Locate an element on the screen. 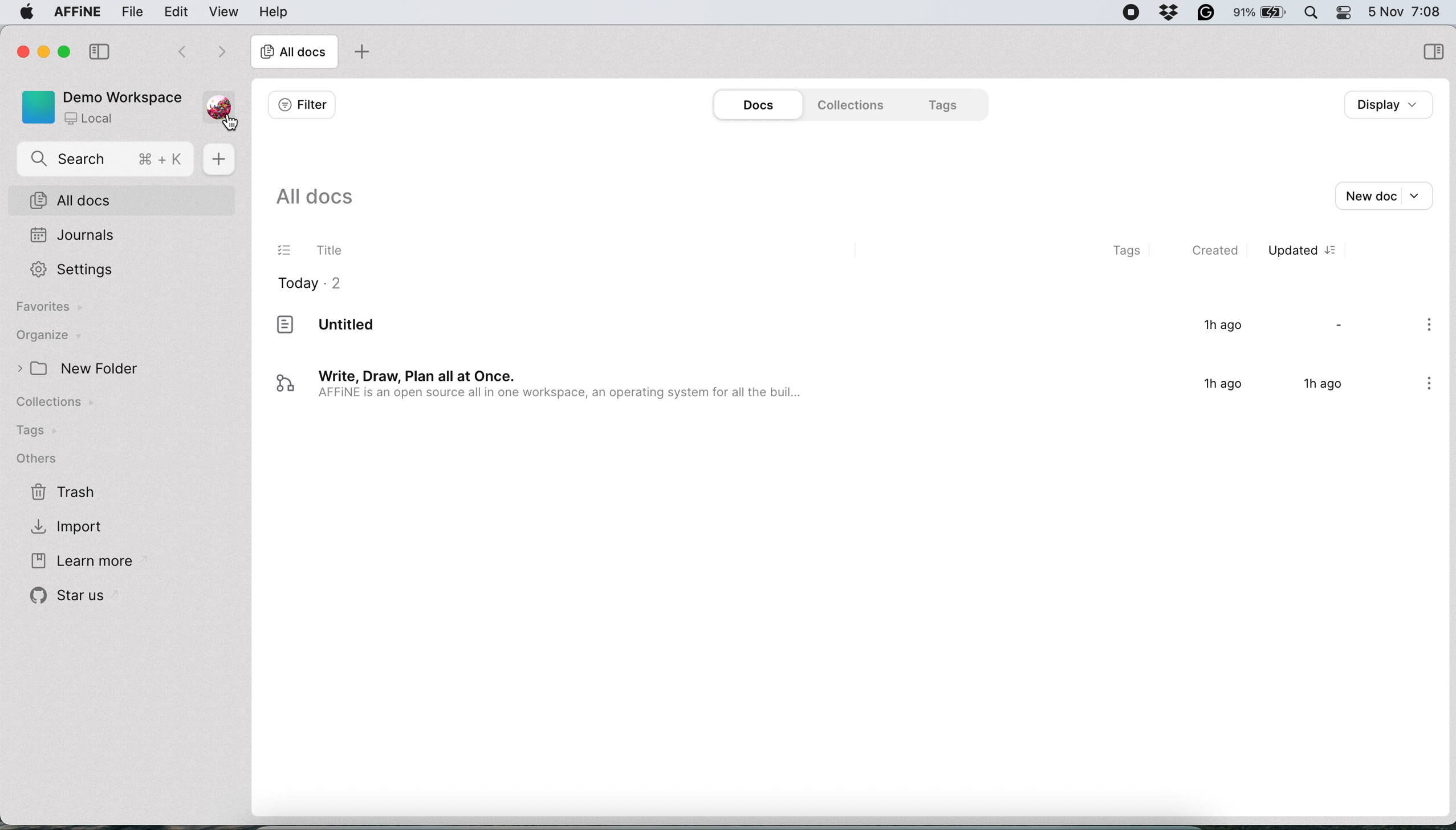 This screenshot has height=830, width=1456. today is located at coordinates (311, 284).